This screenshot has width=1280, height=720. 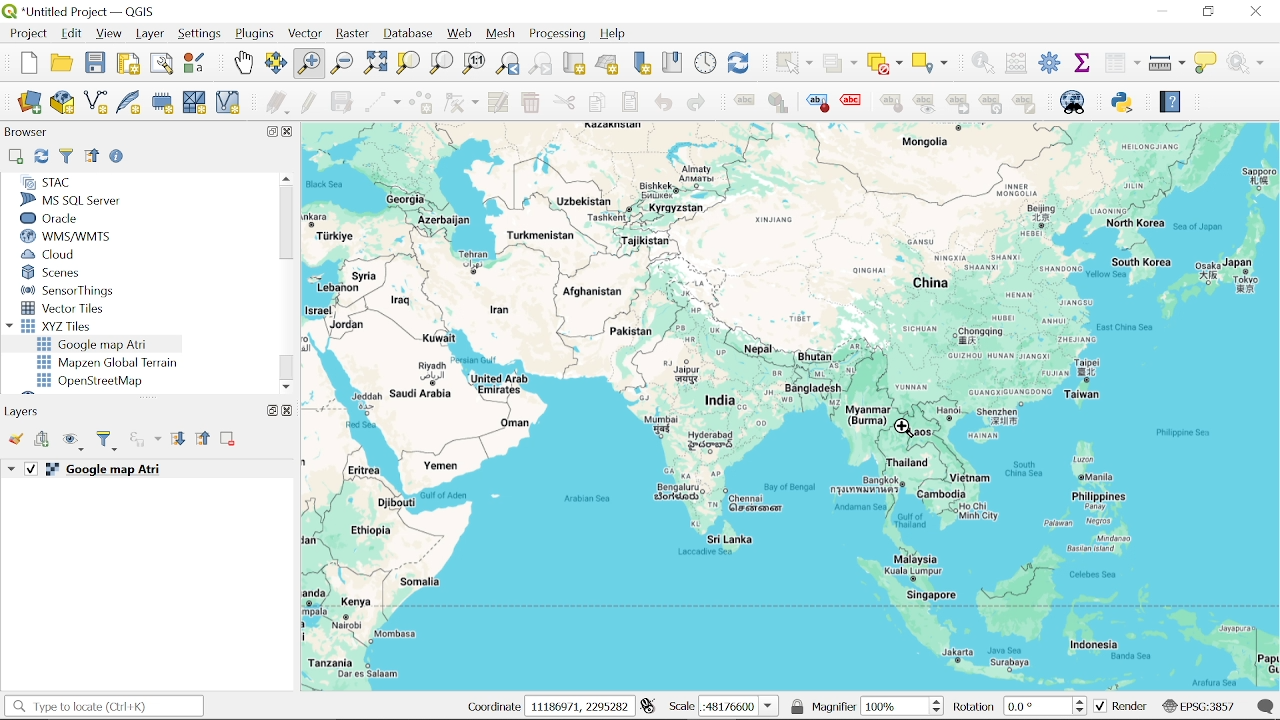 I want to click on Exoand, so click(x=13, y=470).